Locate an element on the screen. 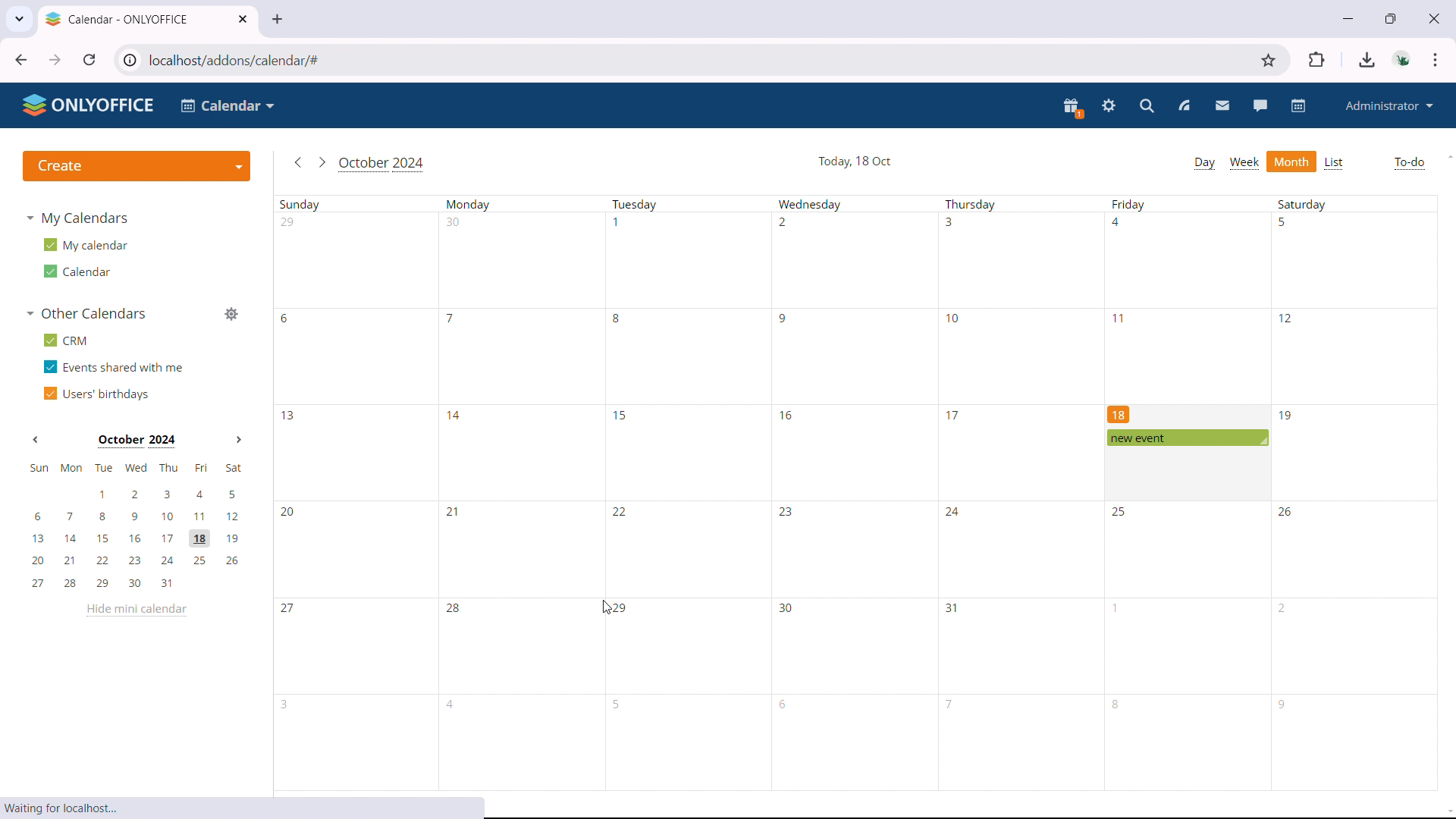 The width and height of the screenshot is (1456, 819). administrator is located at coordinates (1388, 105).